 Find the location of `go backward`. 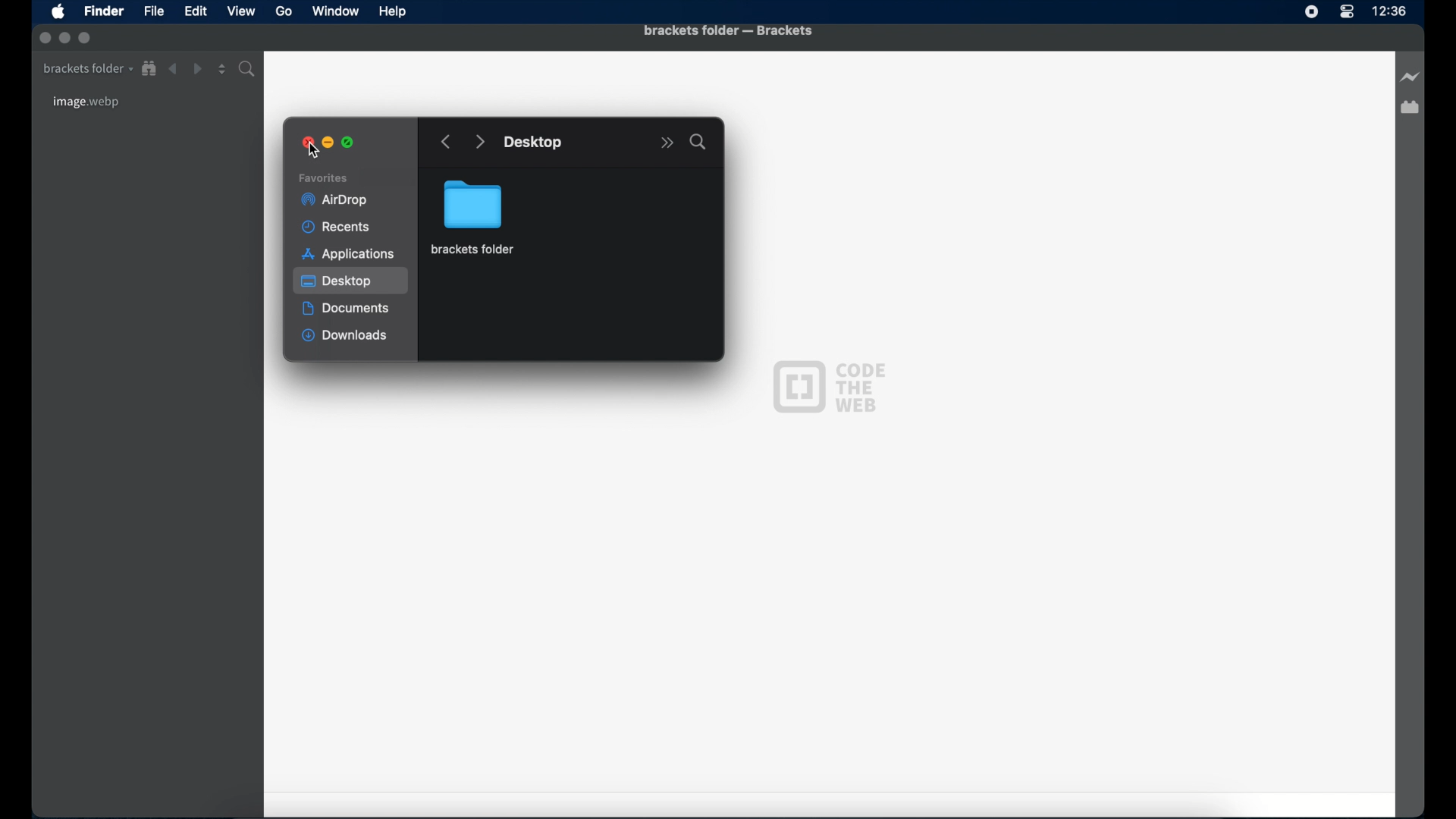

go backward is located at coordinates (447, 143).